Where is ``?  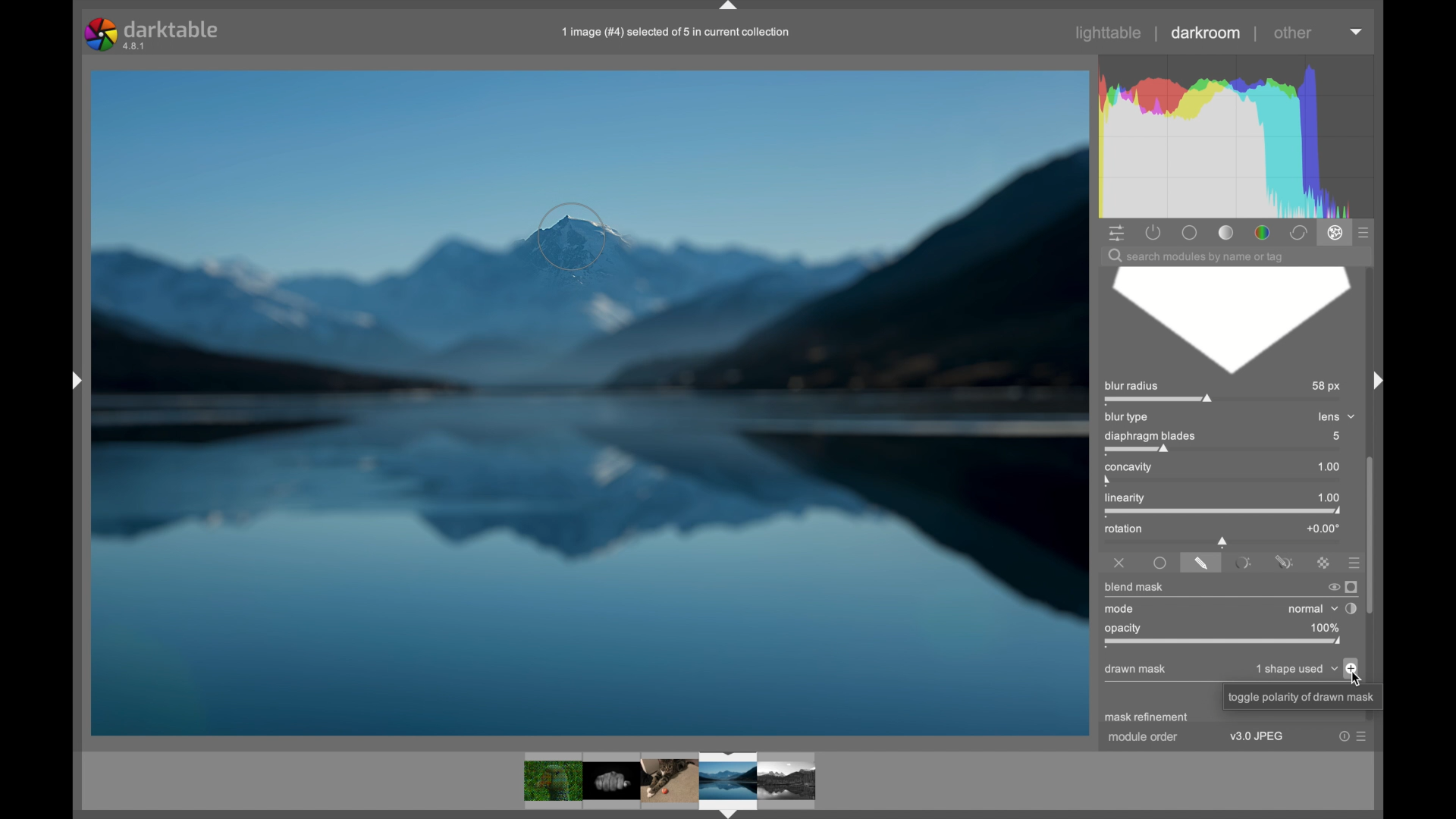  is located at coordinates (1301, 697).